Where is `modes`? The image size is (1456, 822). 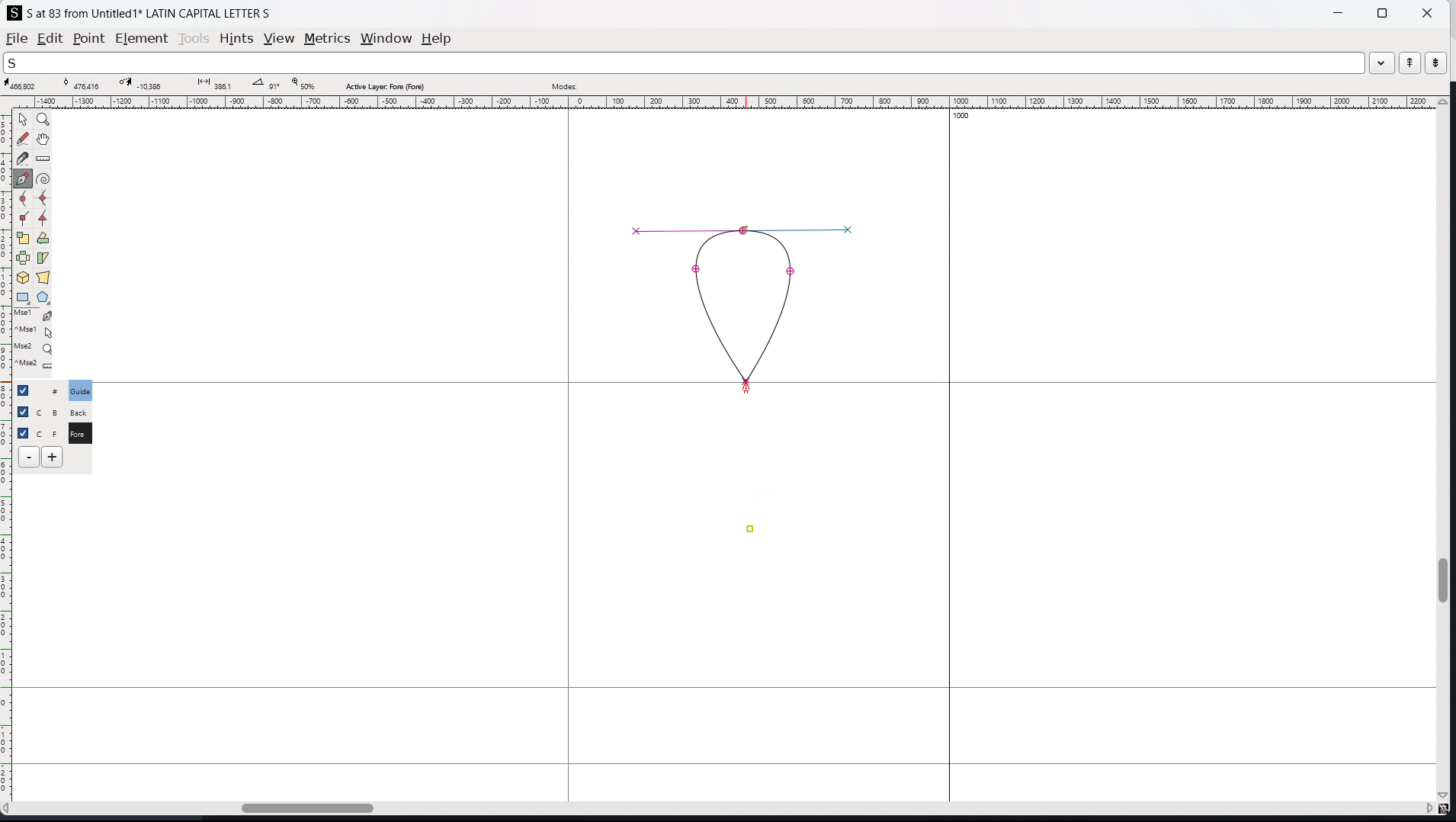
modes is located at coordinates (564, 85).